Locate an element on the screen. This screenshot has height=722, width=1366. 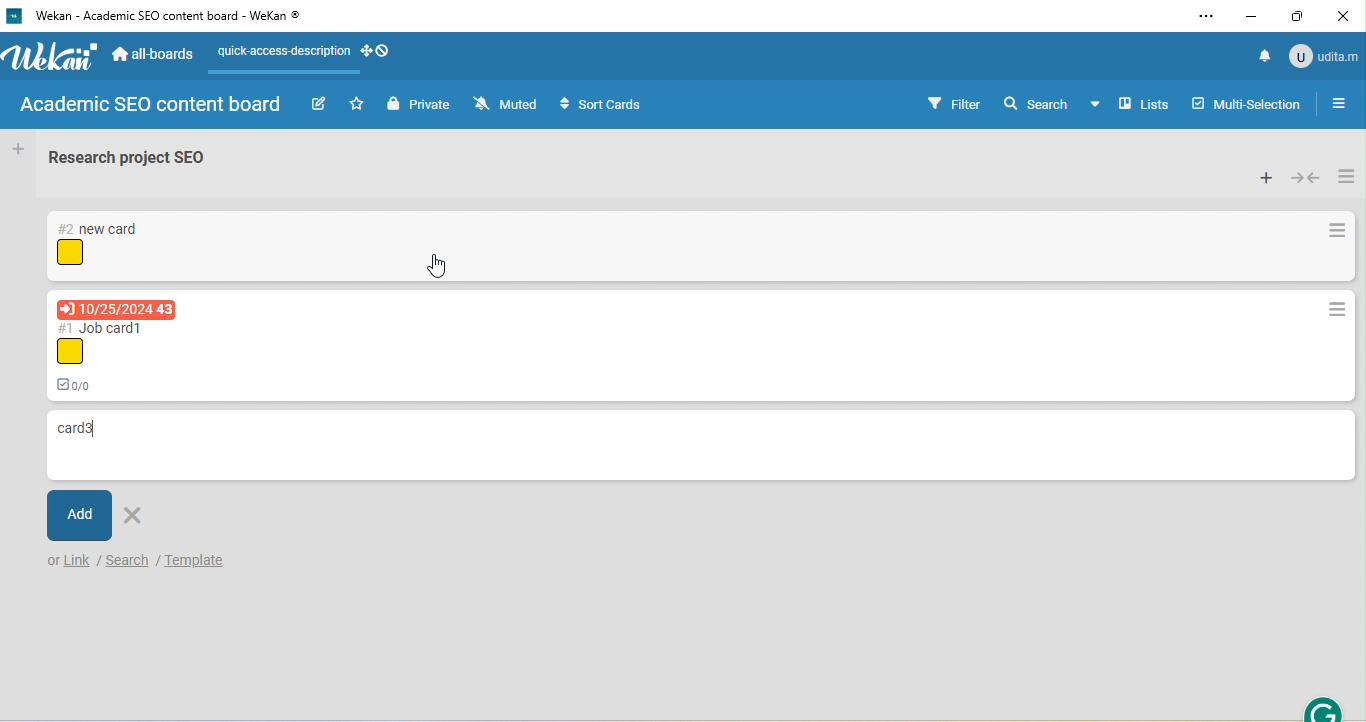
card name typed is located at coordinates (83, 430).